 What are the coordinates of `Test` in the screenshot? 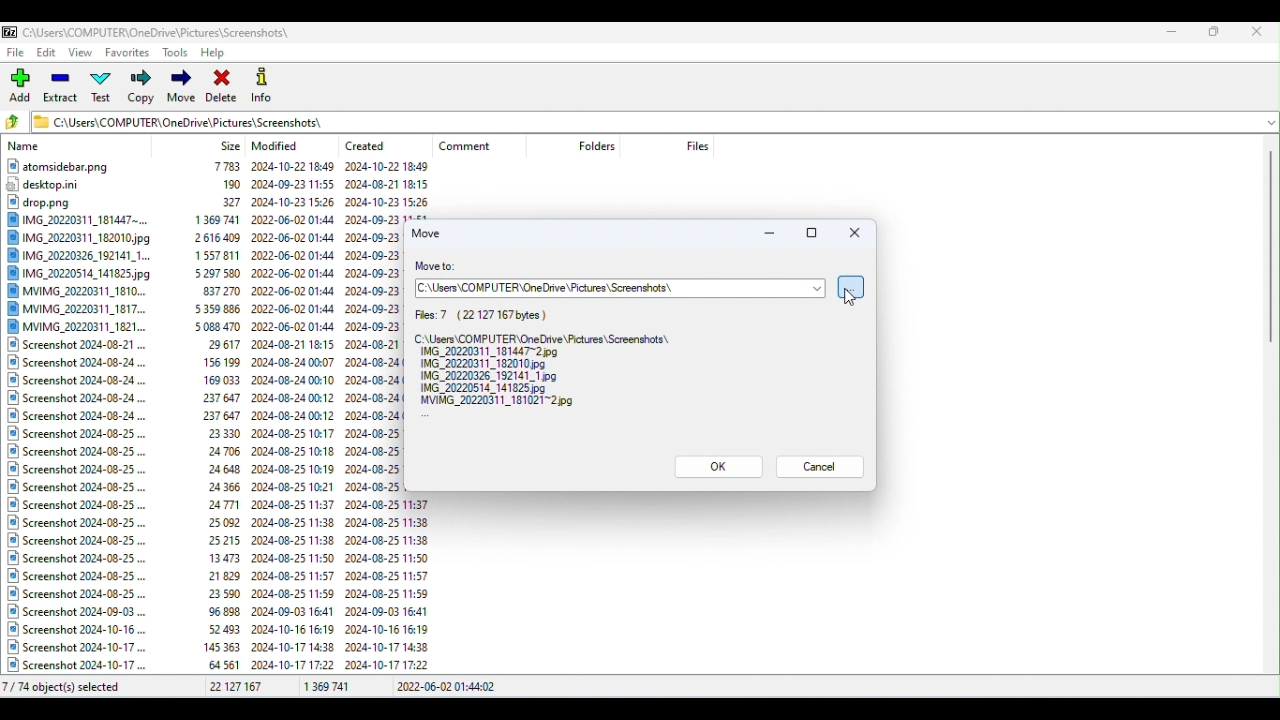 It's located at (105, 89).